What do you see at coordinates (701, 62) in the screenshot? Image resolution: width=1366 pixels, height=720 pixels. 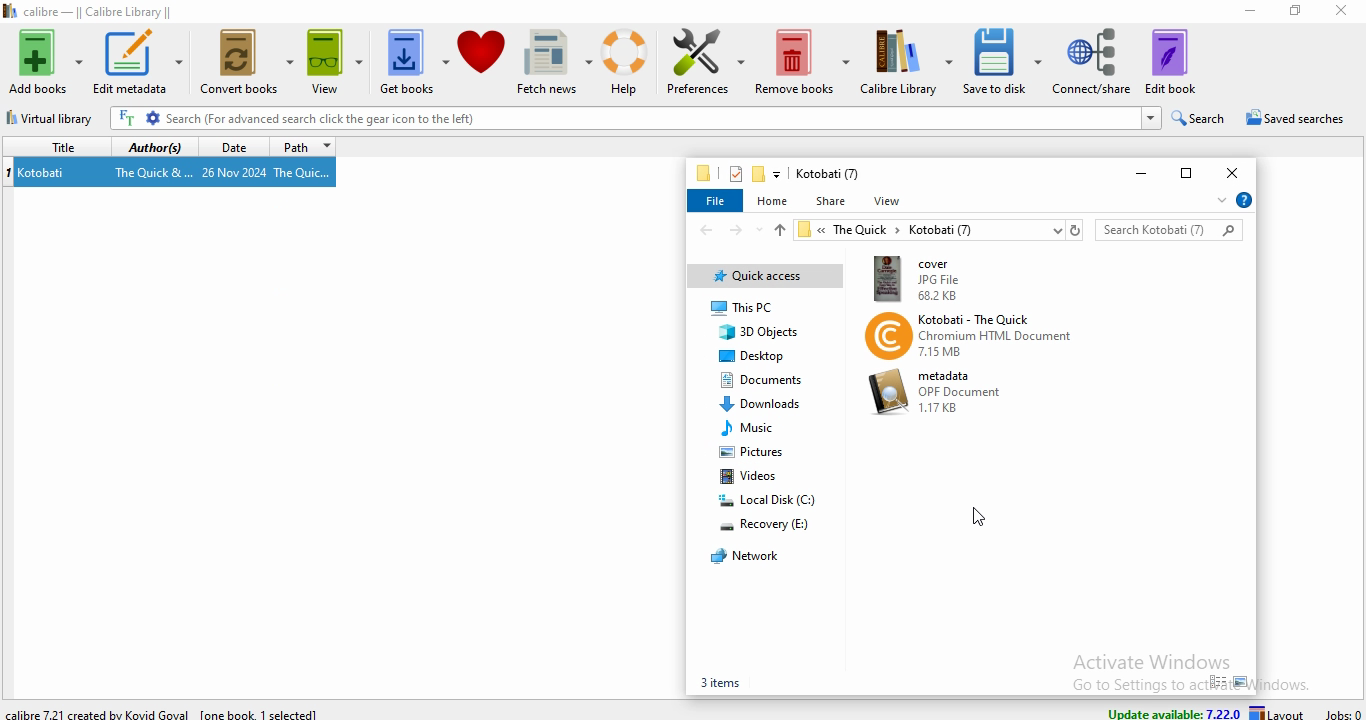 I see `preference` at bounding box center [701, 62].